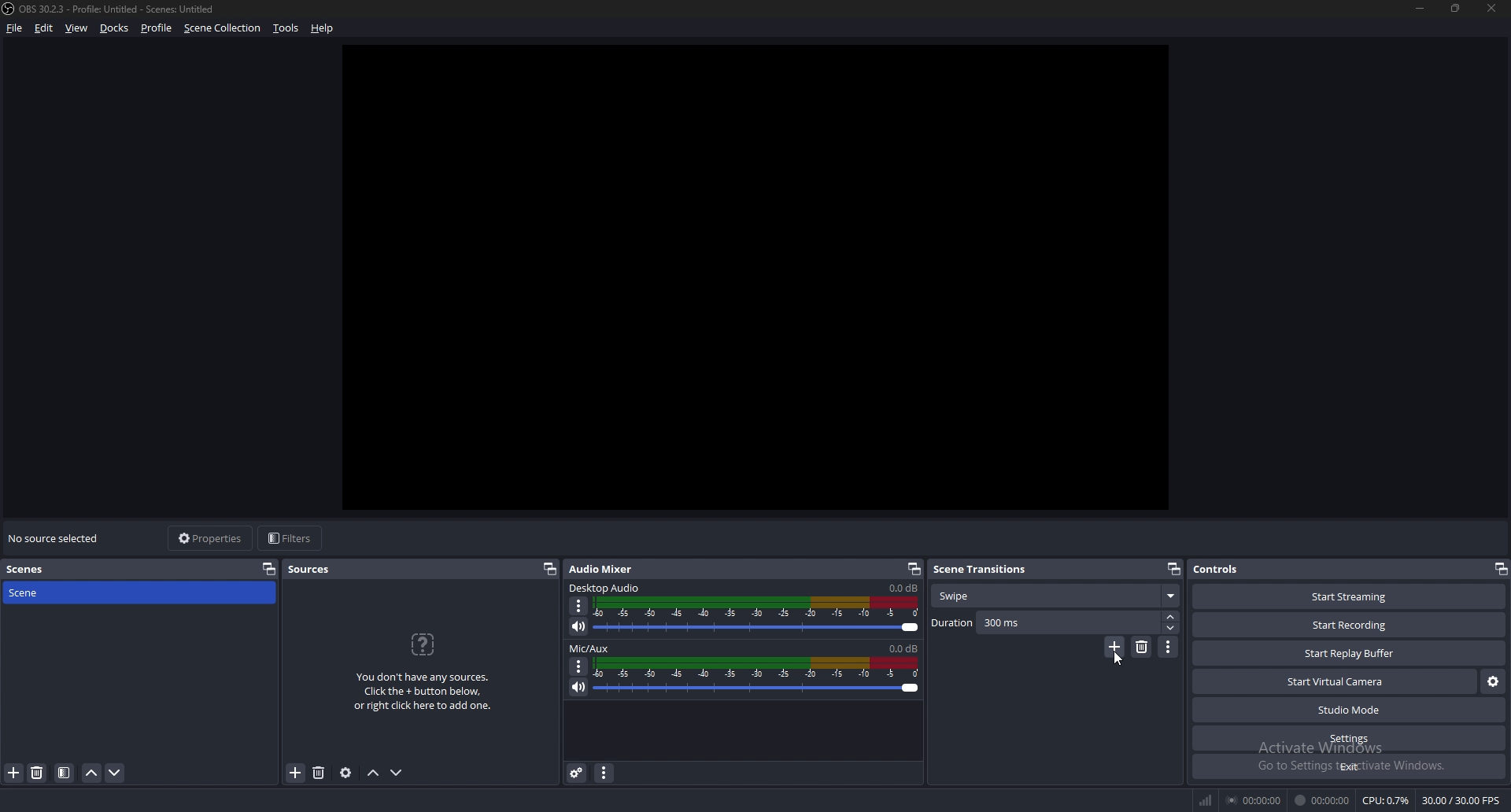 This screenshot has height=812, width=1511. What do you see at coordinates (158, 28) in the screenshot?
I see `profile` at bounding box center [158, 28].